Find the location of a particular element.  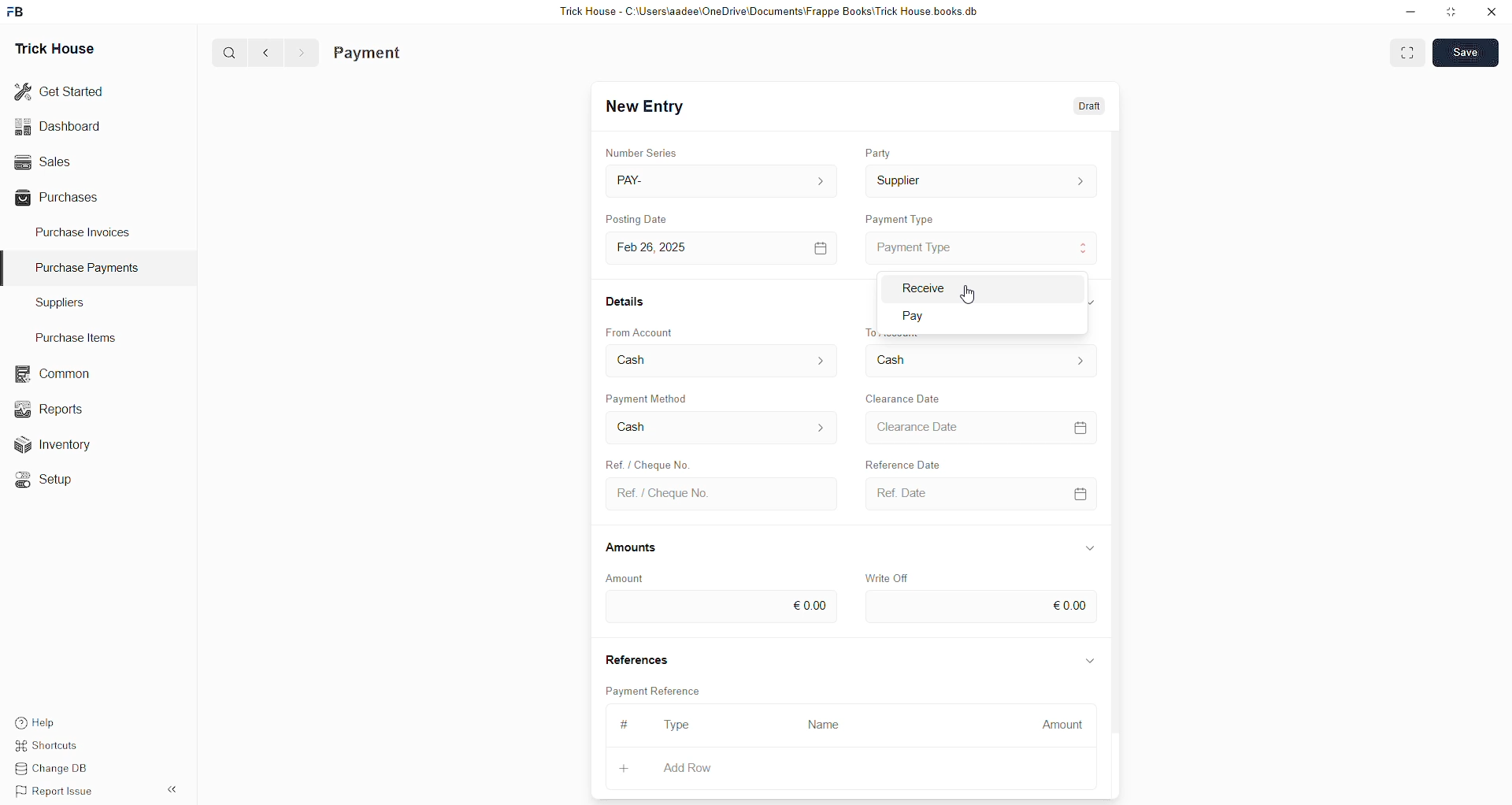

Trick House is located at coordinates (57, 46).